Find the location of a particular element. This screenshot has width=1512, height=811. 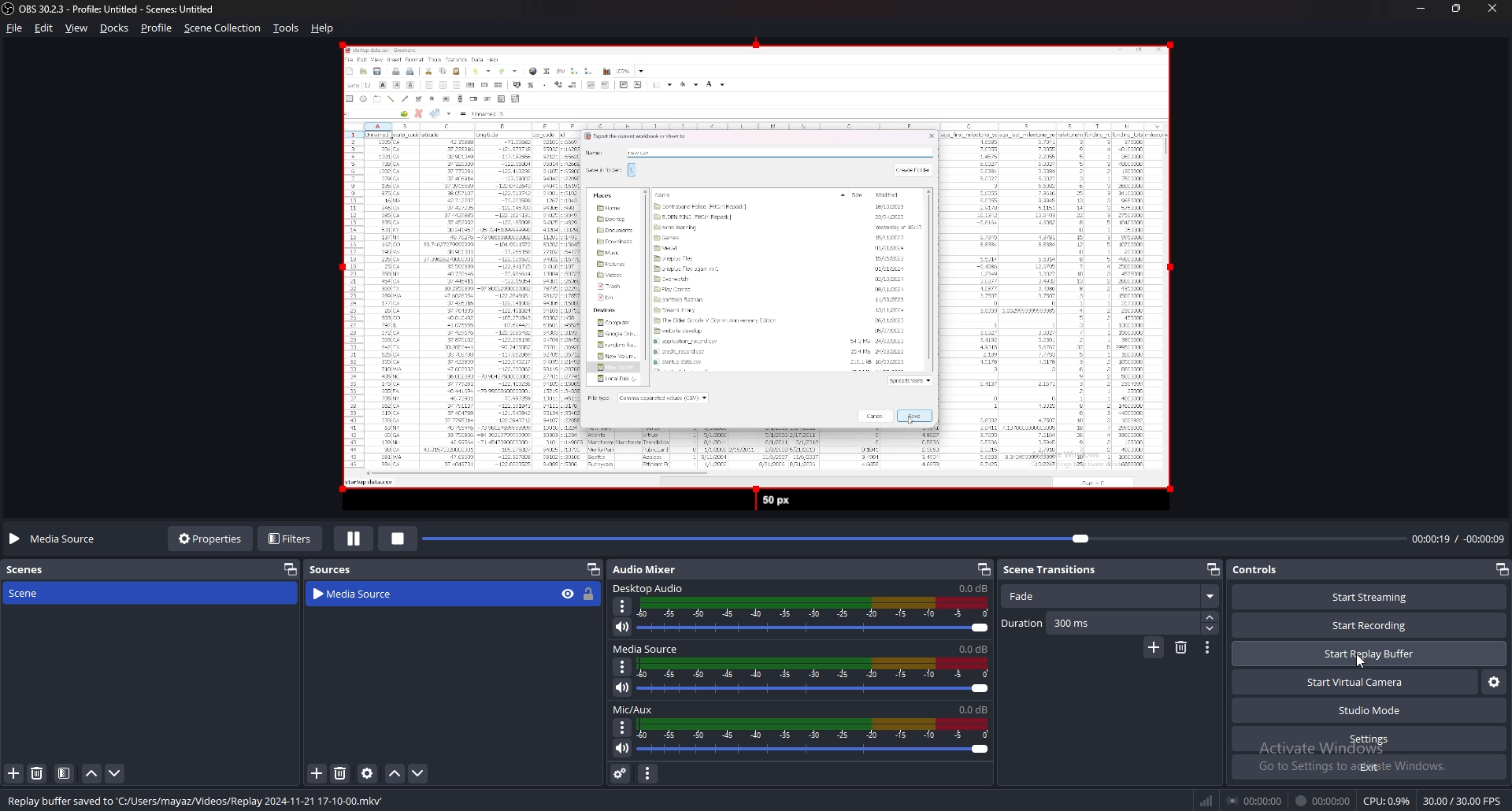

resize is located at coordinates (1455, 8).